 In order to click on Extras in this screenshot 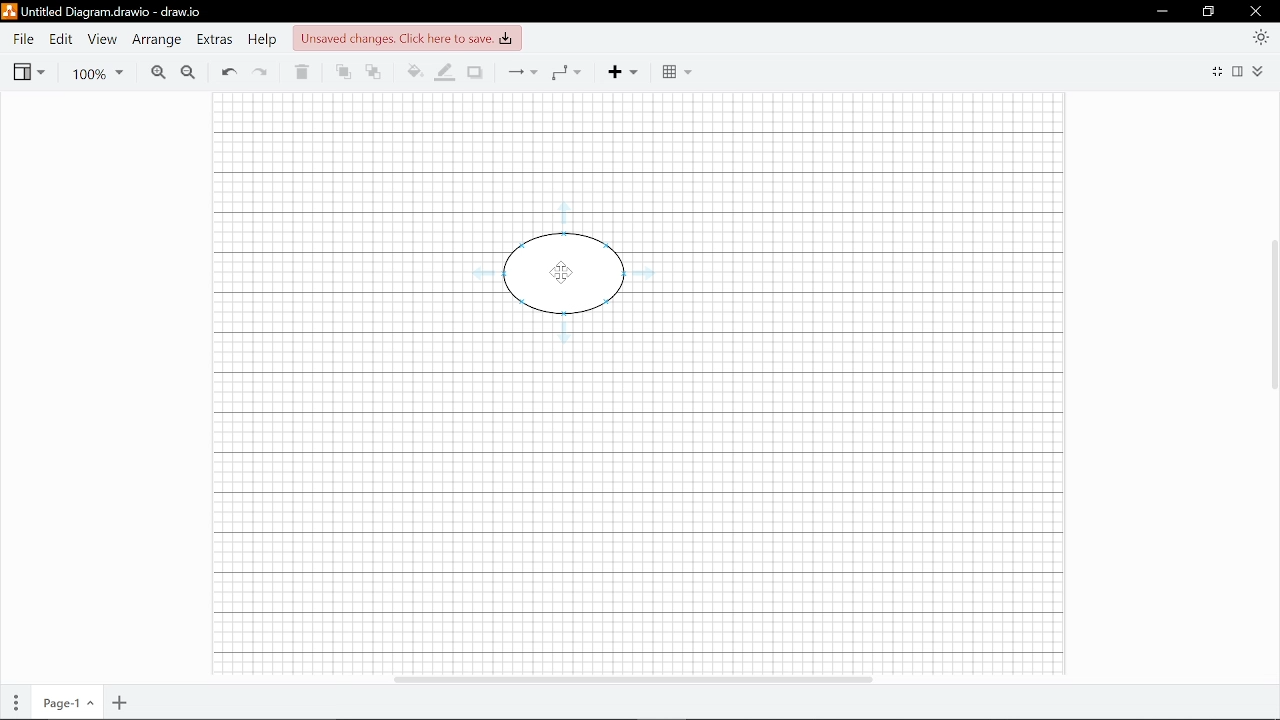, I will do `click(216, 41)`.